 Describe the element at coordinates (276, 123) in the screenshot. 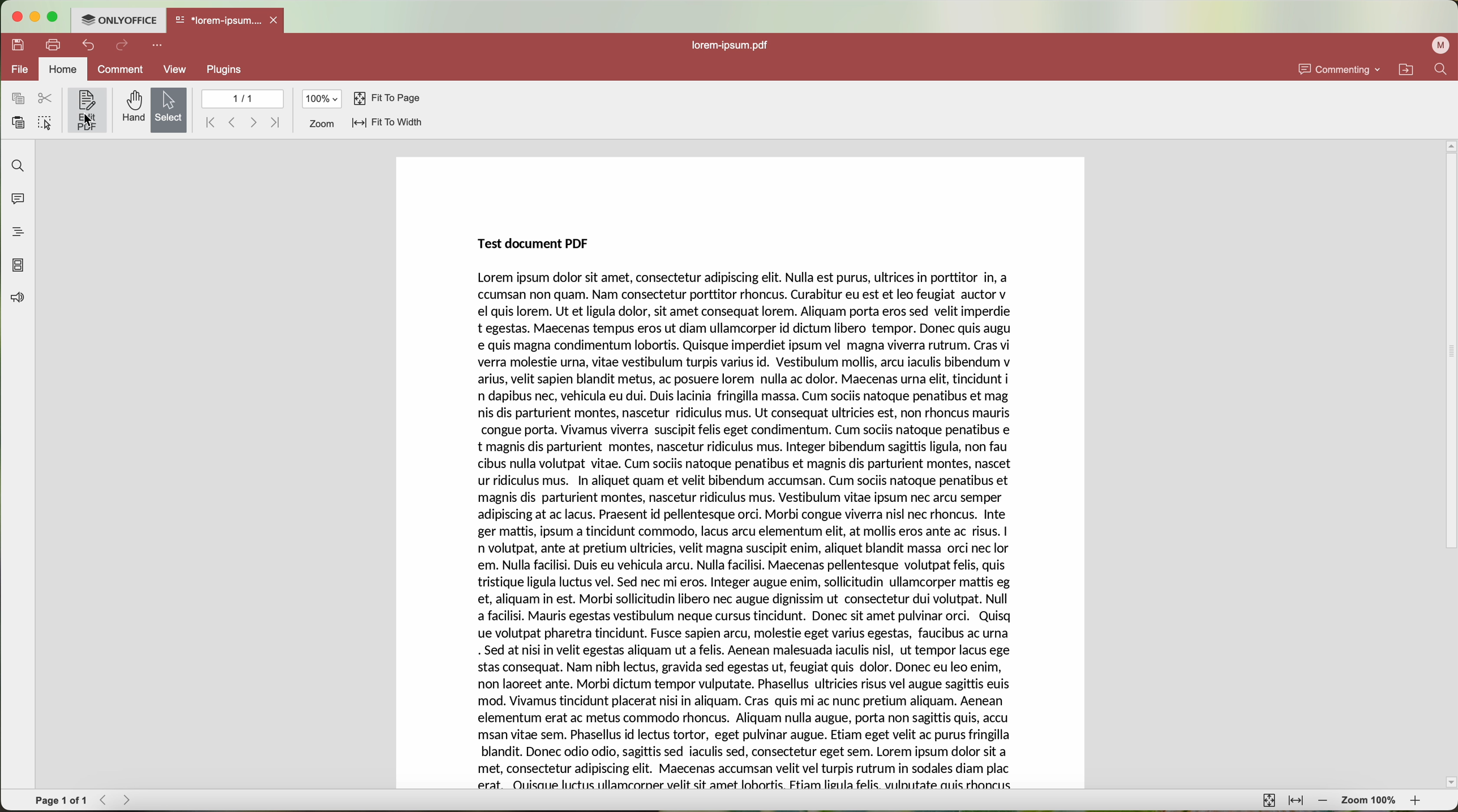

I see `Last page` at that location.